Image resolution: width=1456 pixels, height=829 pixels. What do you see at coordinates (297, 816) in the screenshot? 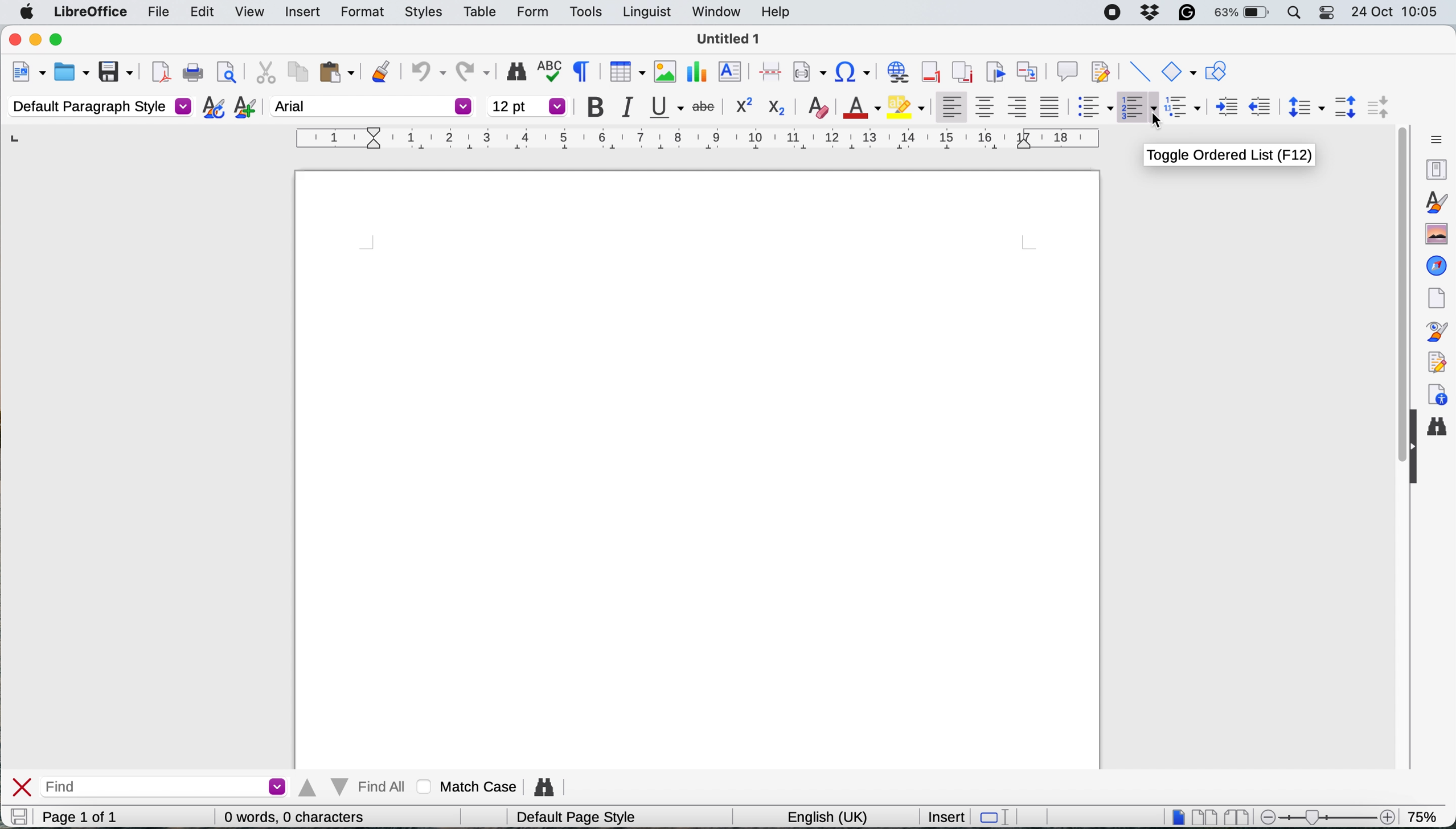
I see `0 words, 0 characters` at bounding box center [297, 816].